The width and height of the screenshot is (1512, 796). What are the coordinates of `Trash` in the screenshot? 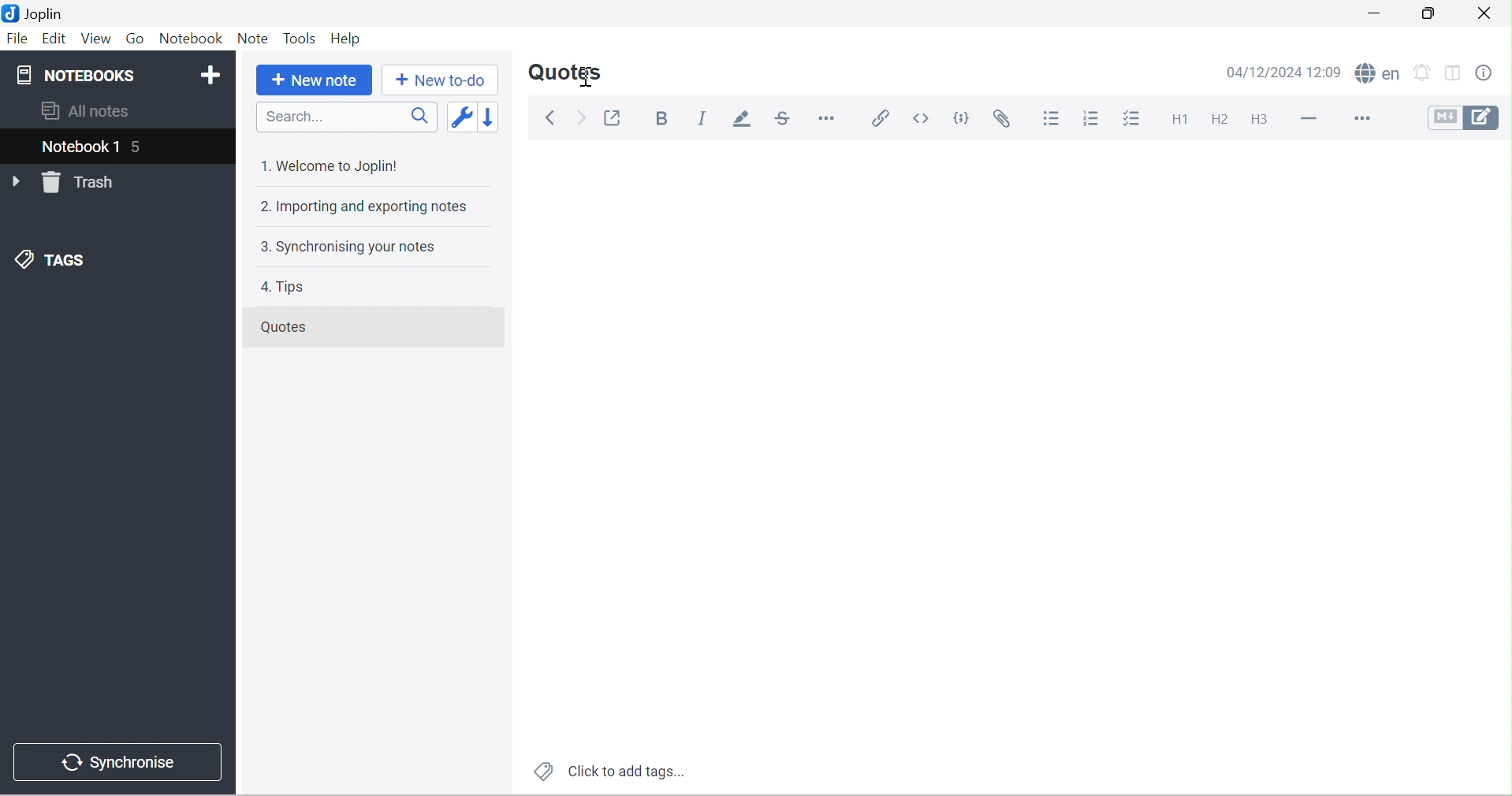 It's located at (84, 183).